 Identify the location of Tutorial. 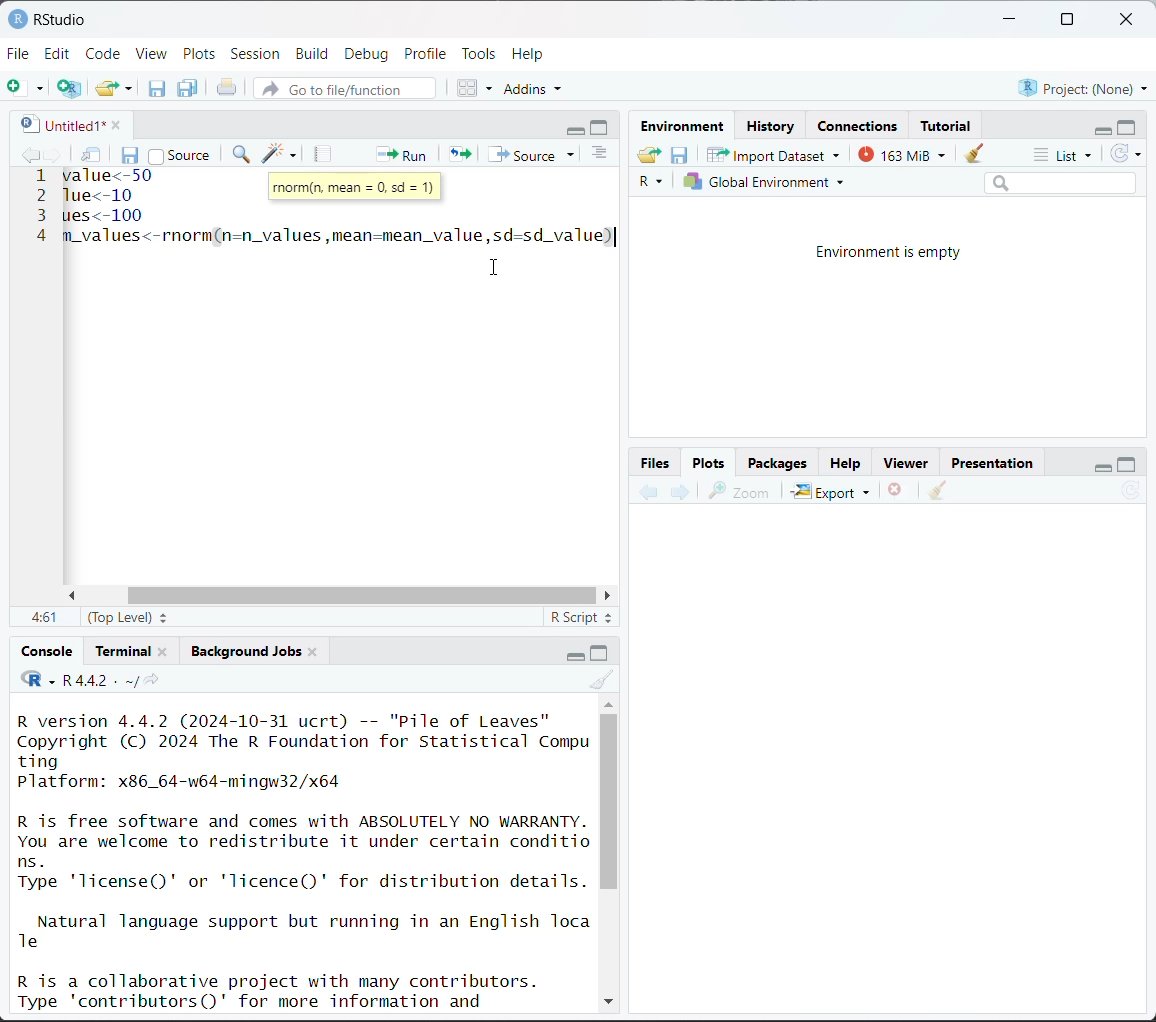
(948, 123).